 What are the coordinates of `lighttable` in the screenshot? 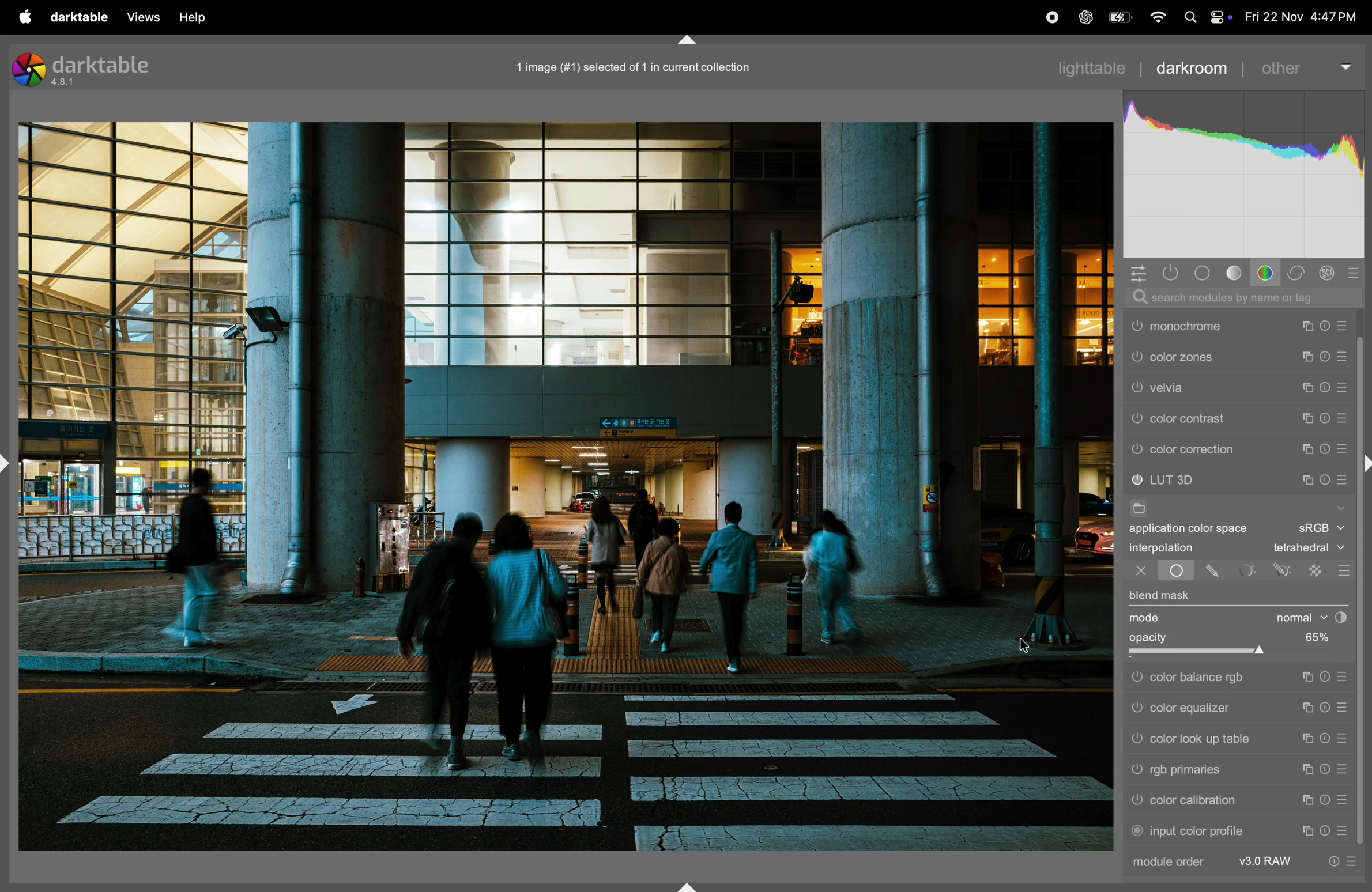 It's located at (1090, 70).